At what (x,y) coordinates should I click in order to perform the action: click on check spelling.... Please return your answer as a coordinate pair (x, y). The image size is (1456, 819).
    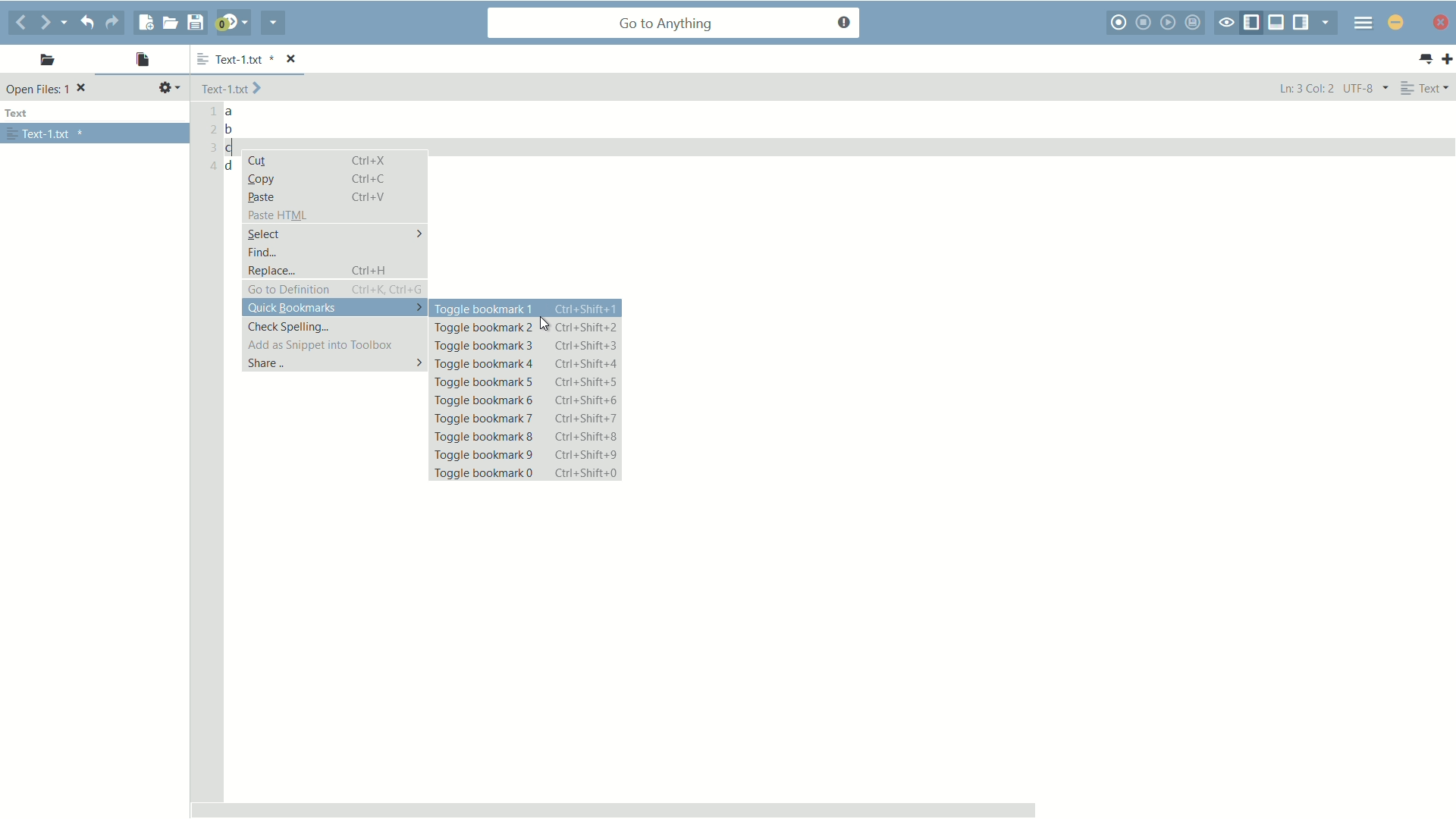
    Looking at the image, I should click on (290, 326).